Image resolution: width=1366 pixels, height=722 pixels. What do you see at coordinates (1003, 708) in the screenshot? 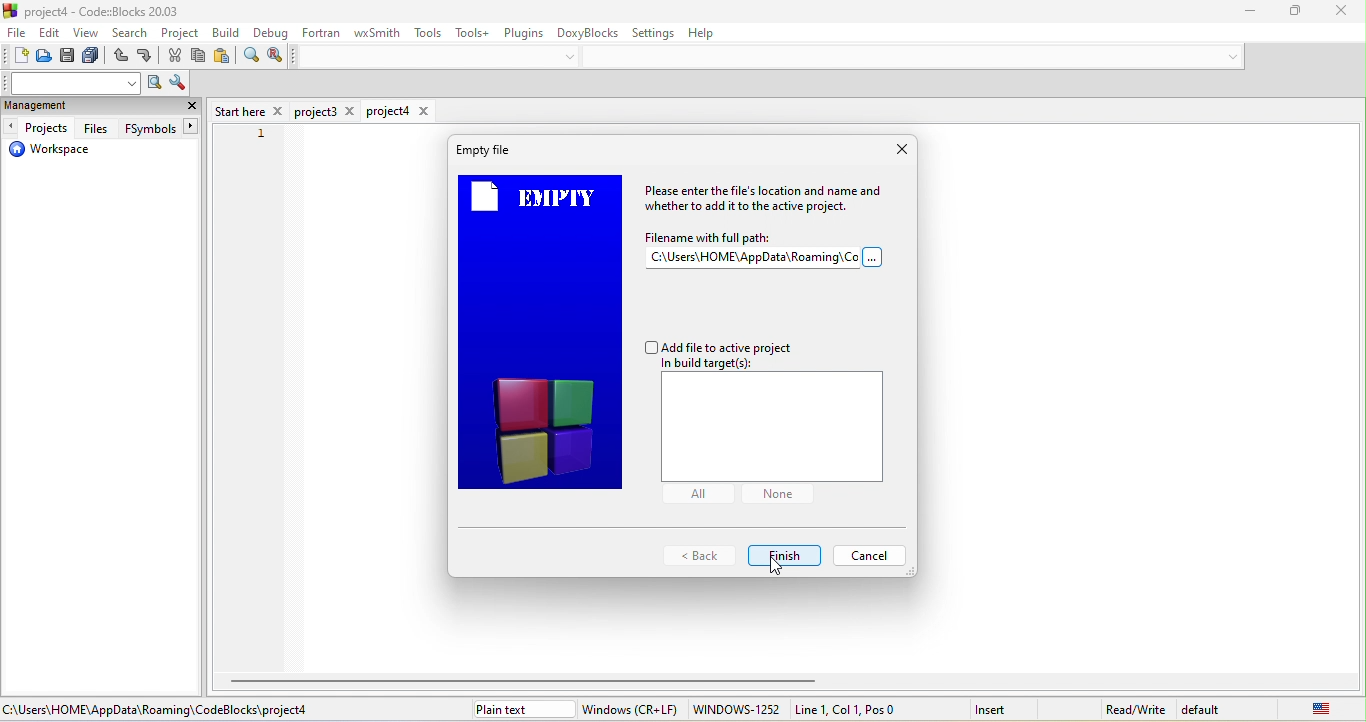
I see `insert` at bounding box center [1003, 708].